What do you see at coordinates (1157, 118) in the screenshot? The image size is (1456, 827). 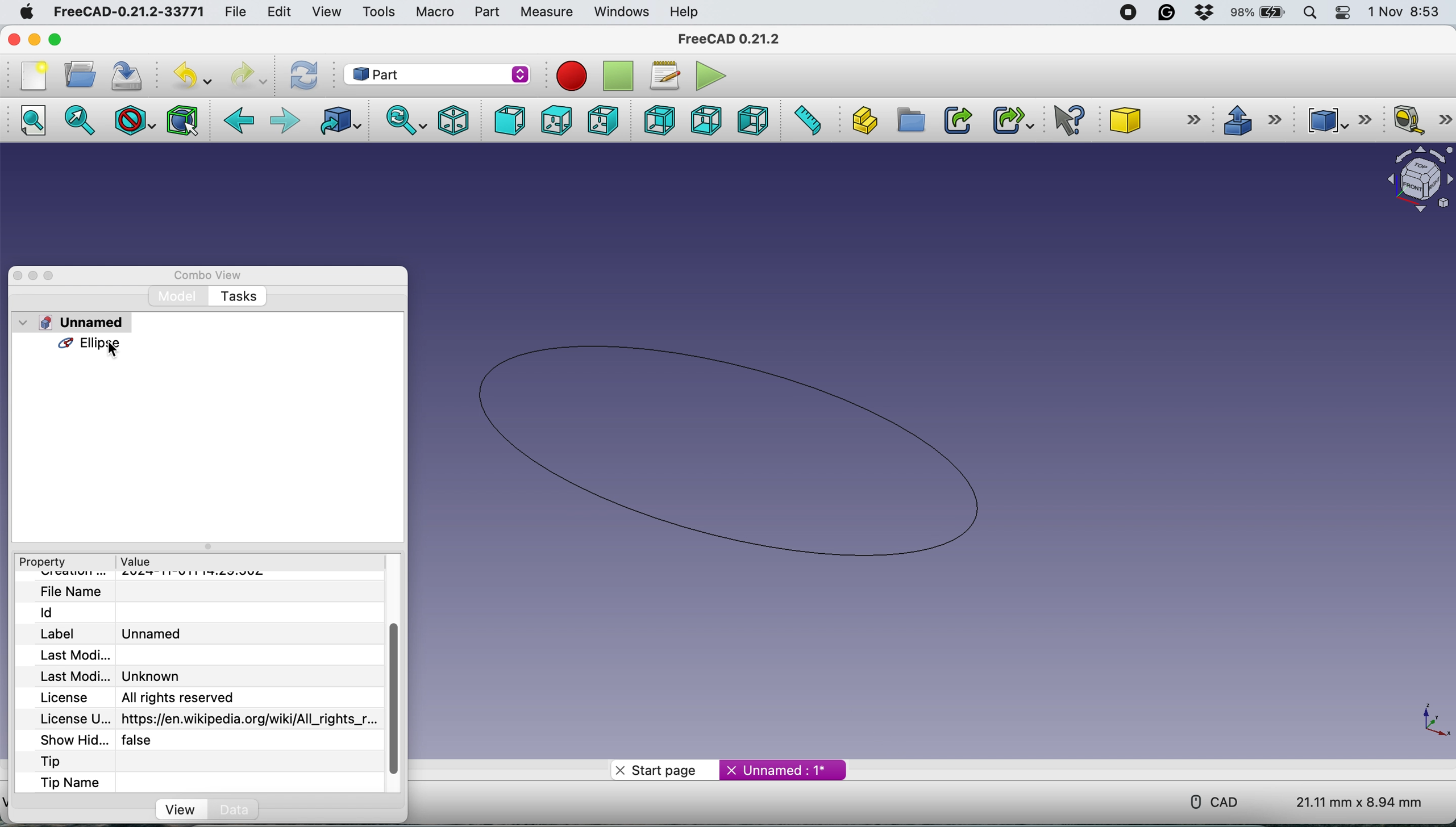 I see `cube` at bounding box center [1157, 118].